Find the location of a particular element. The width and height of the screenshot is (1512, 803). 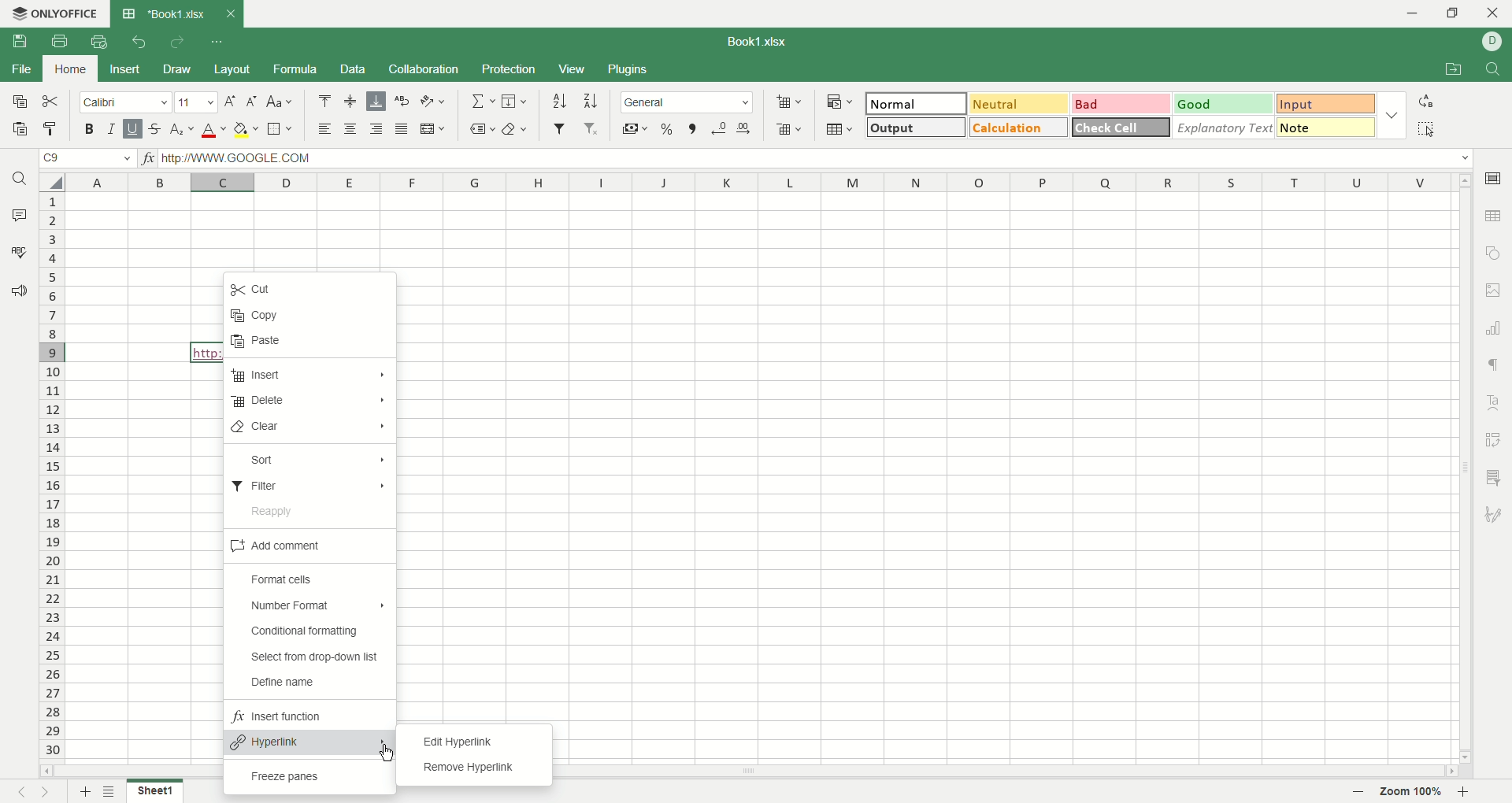

close is located at coordinates (230, 13).